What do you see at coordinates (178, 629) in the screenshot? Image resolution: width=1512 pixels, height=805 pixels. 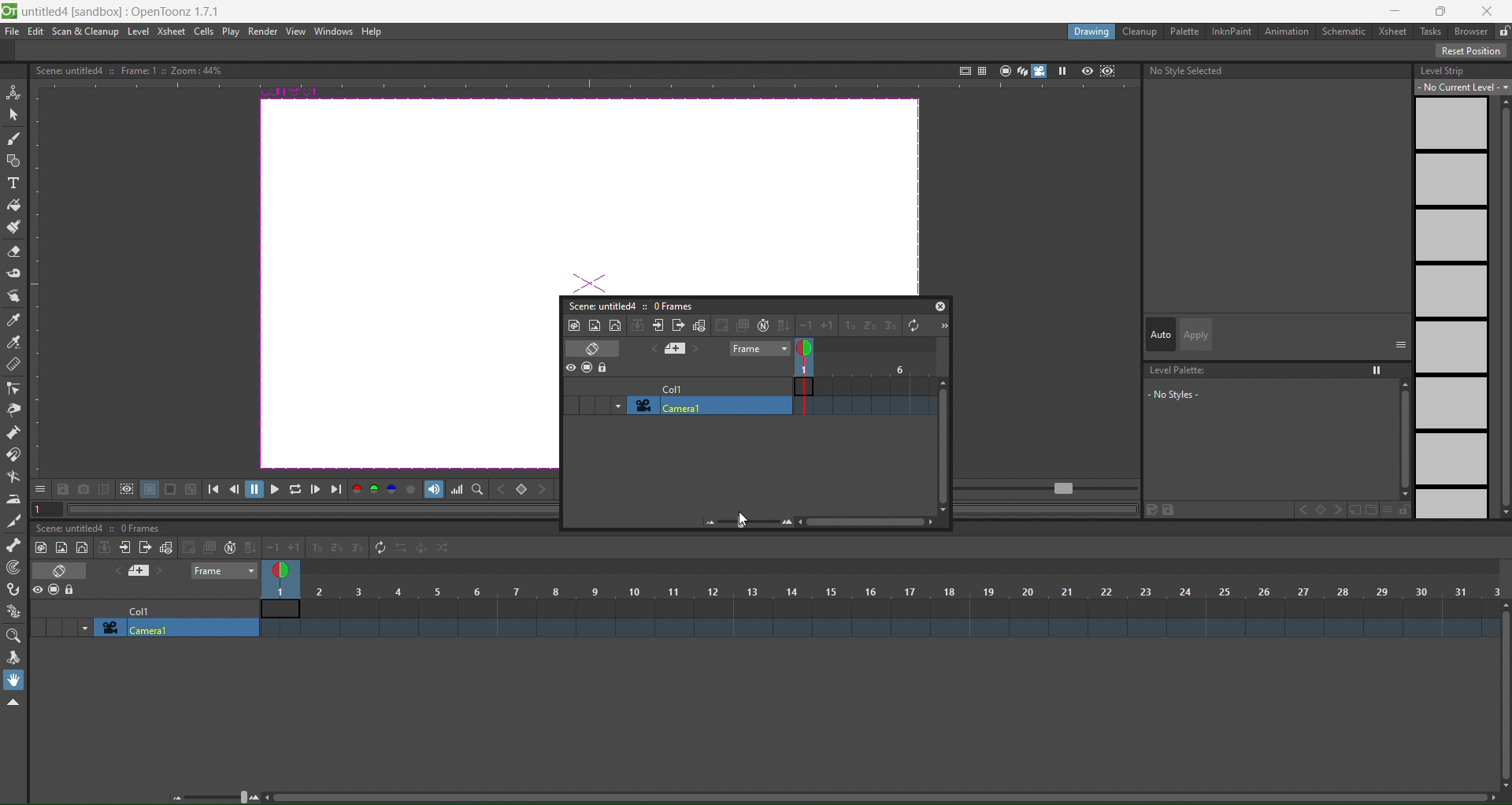 I see `camera1` at bounding box center [178, 629].